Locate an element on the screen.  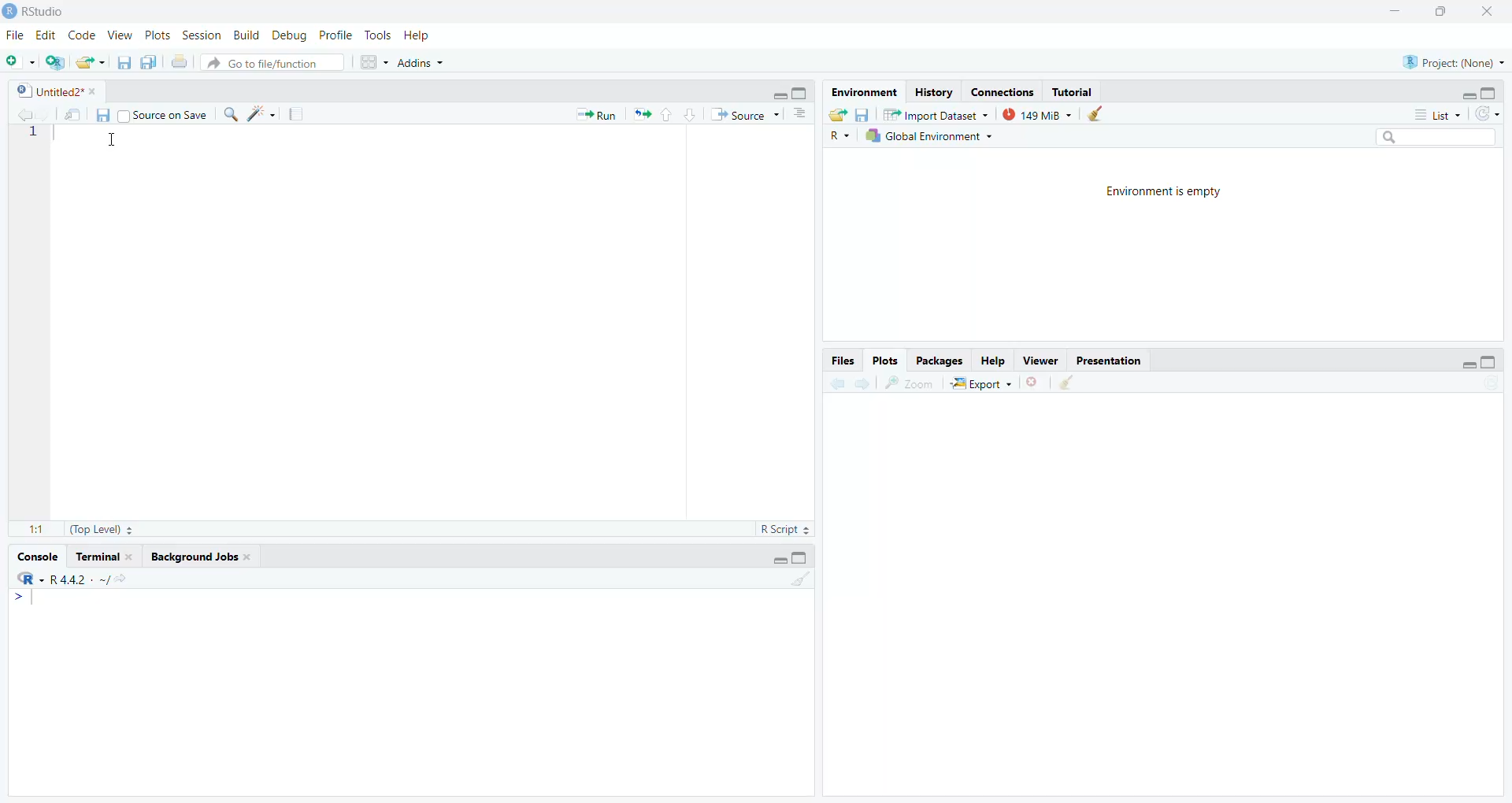
Clear console (Ctrl +L) is located at coordinates (1101, 113).